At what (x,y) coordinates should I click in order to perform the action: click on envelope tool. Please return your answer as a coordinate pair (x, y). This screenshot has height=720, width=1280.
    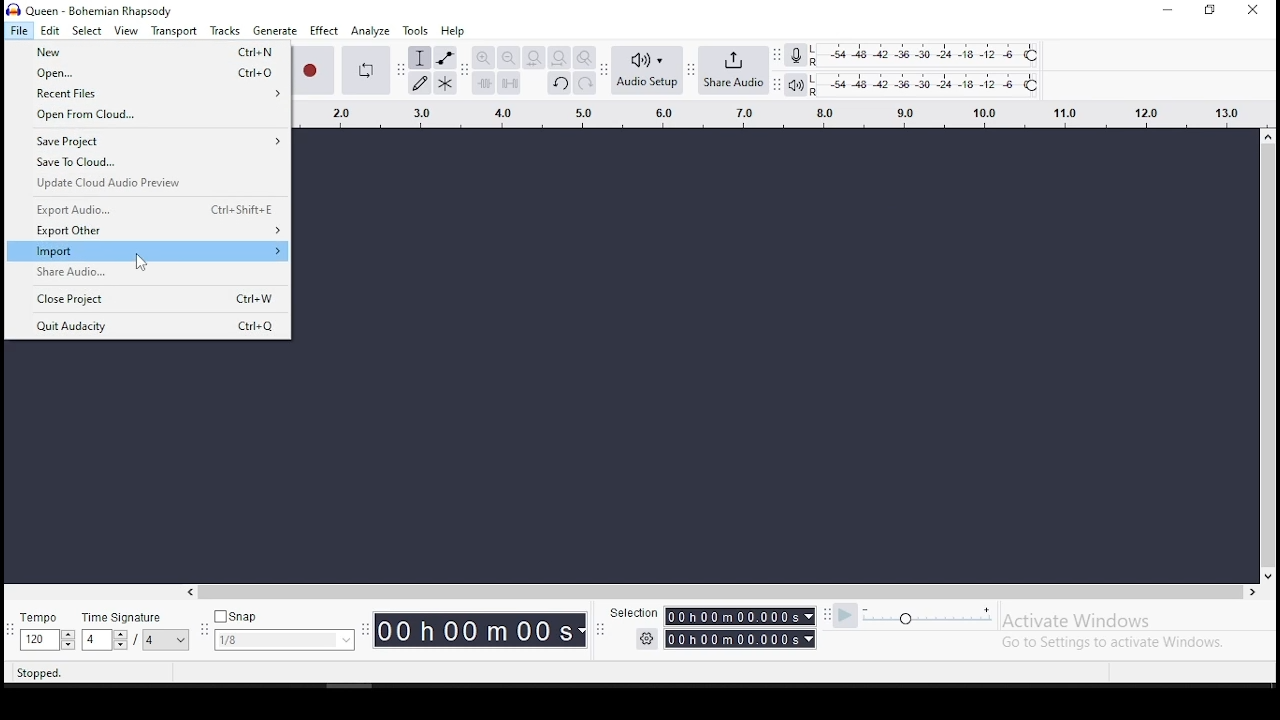
    Looking at the image, I should click on (445, 58).